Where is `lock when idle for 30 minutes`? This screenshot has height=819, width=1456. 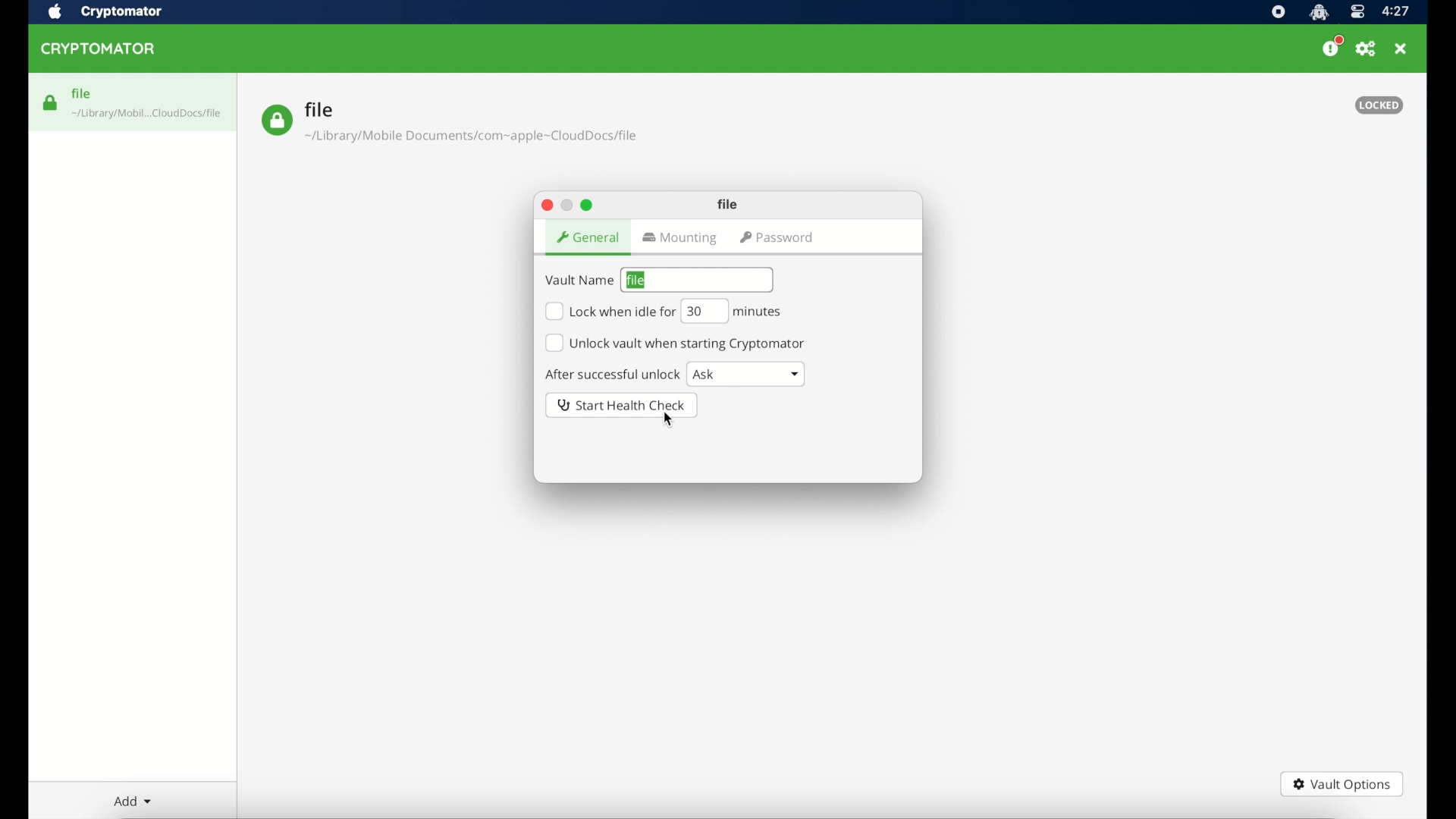 lock when idle for 30 minutes is located at coordinates (610, 312).